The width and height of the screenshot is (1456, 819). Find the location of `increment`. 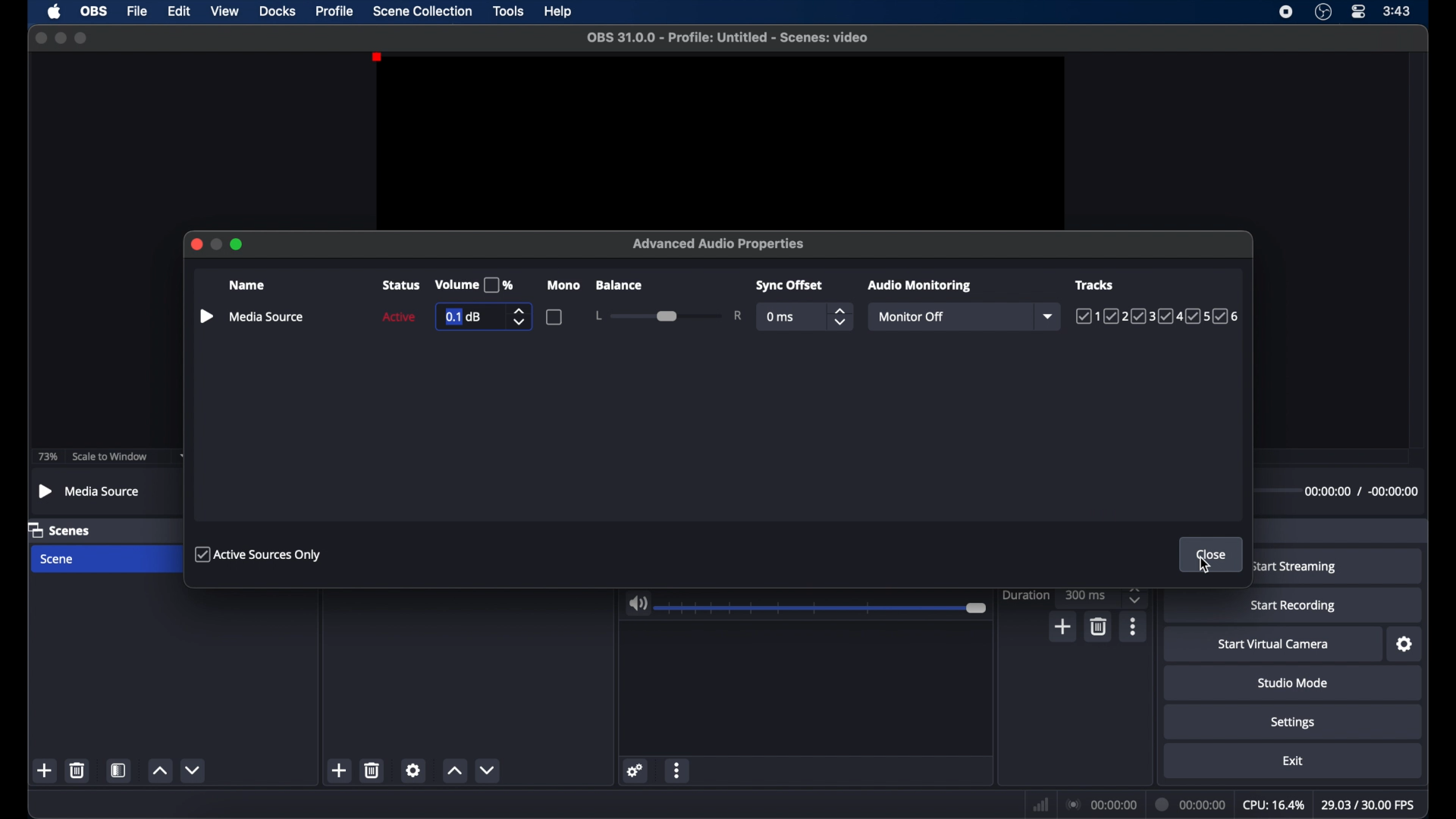

increment is located at coordinates (159, 770).